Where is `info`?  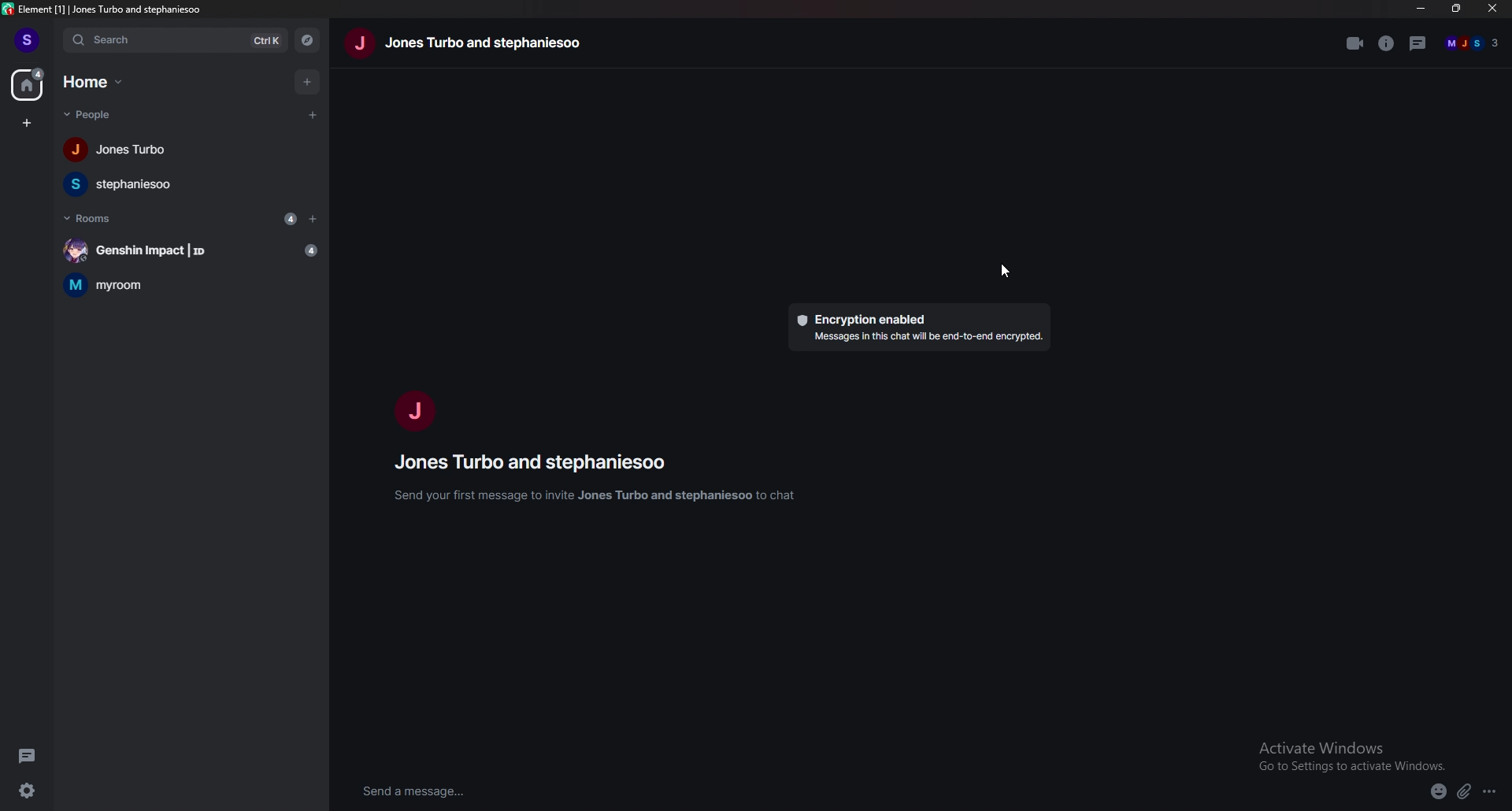 info is located at coordinates (1388, 43).